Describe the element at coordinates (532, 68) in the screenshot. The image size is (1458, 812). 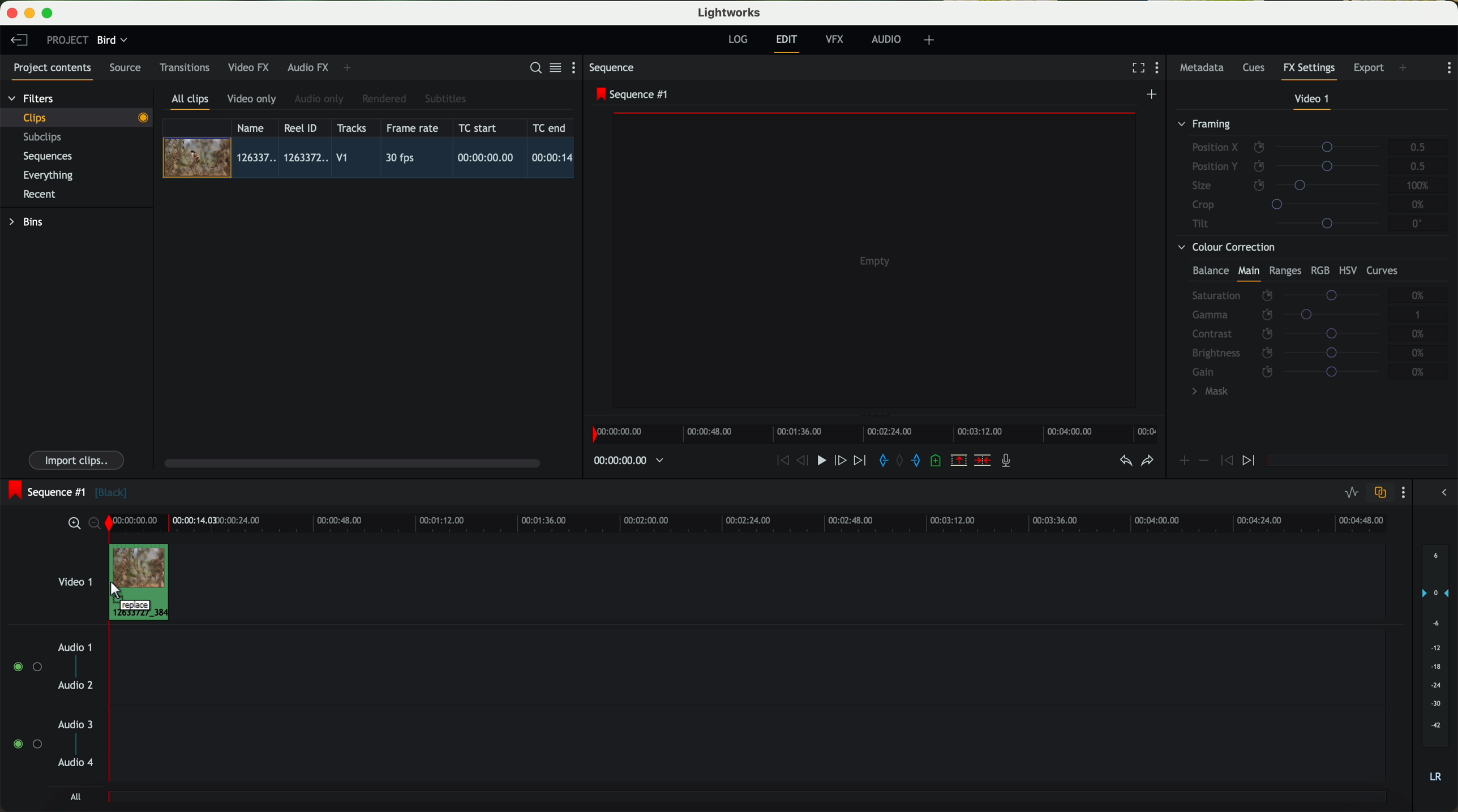
I see `search for assets or bins` at that location.